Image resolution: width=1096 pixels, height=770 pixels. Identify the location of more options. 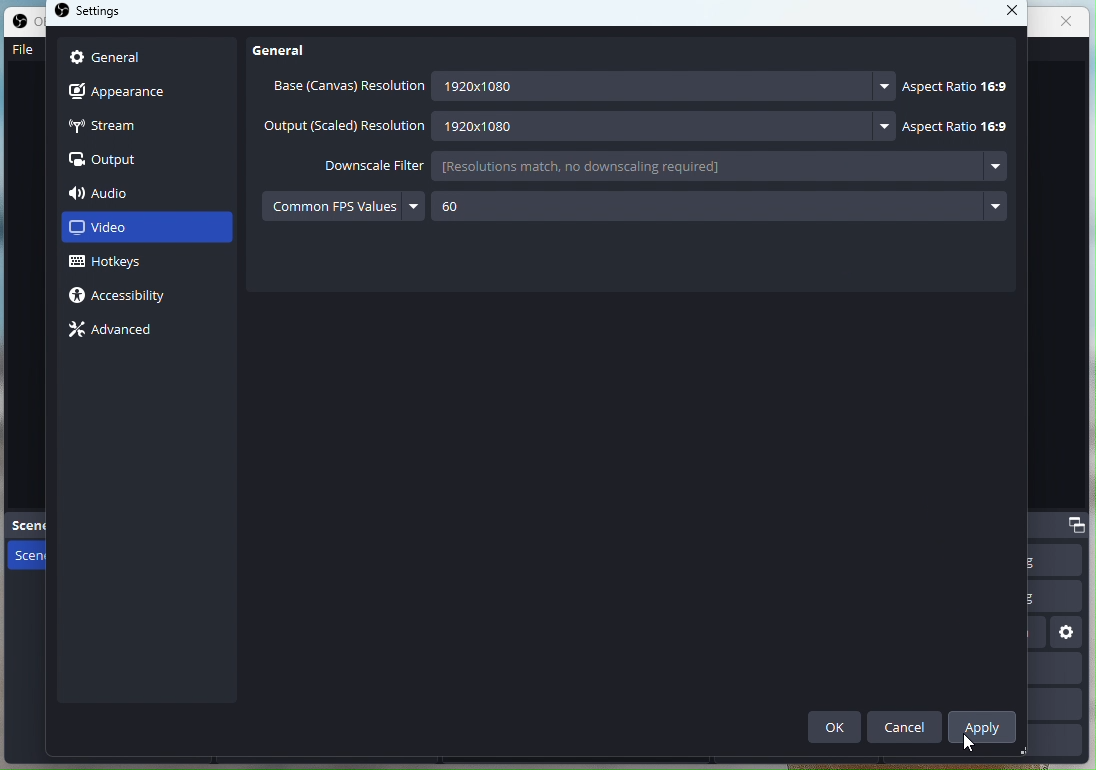
(412, 205).